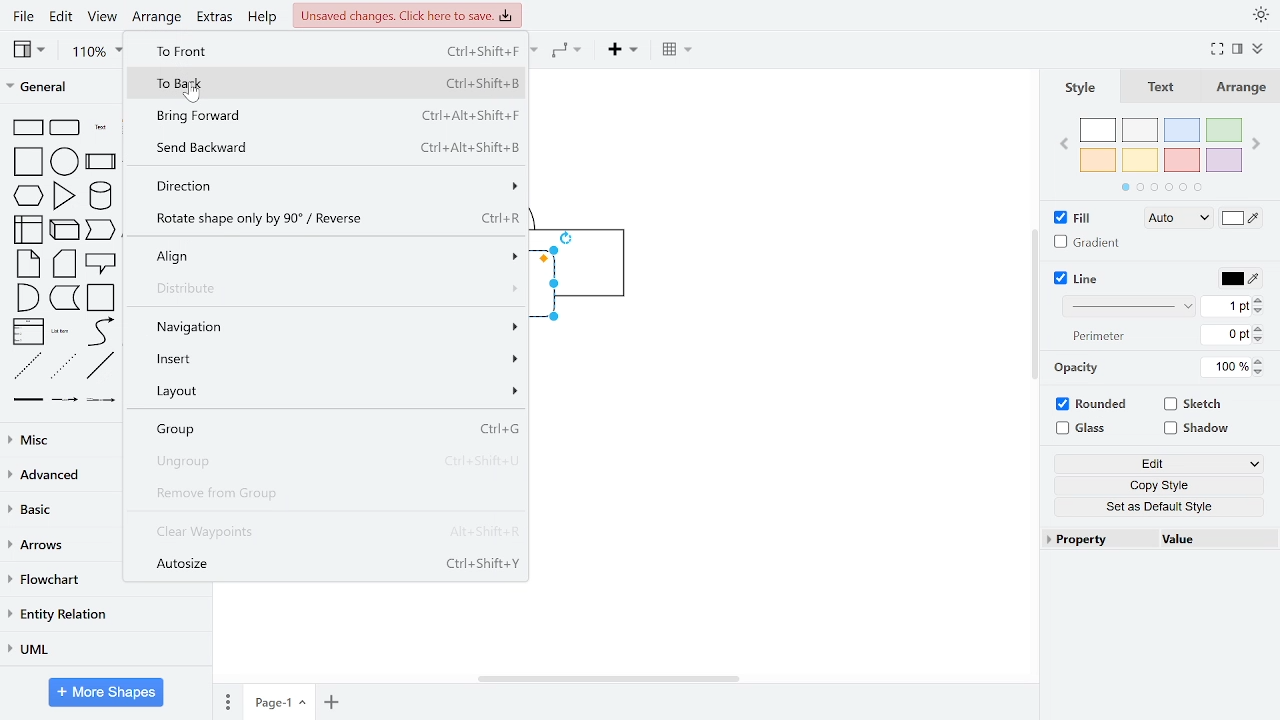 The image size is (1280, 720). What do you see at coordinates (1240, 218) in the screenshot?
I see `fill colors` at bounding box center [1240, 218].